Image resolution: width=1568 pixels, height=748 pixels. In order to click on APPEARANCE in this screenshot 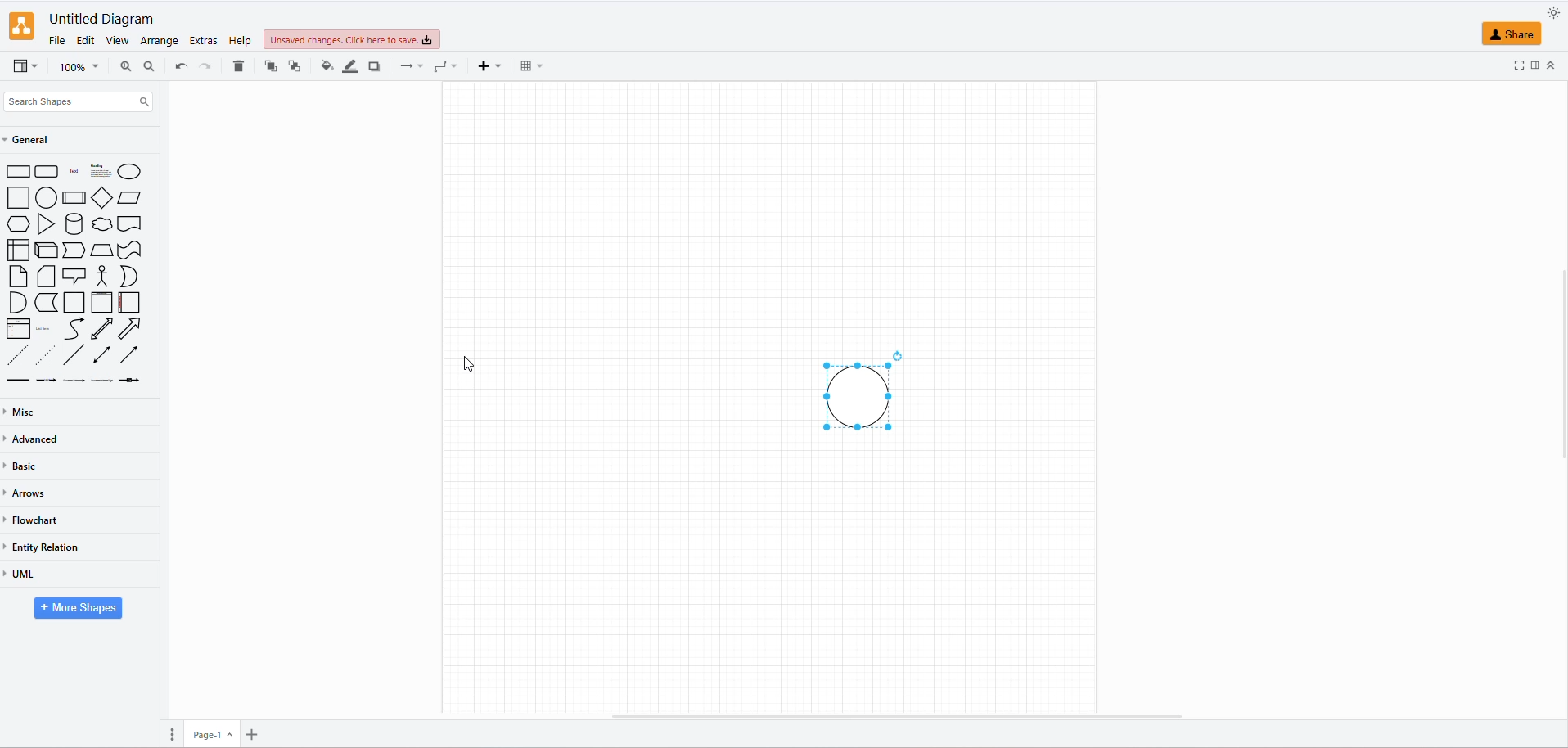, I will do `click(1554, 12)`.